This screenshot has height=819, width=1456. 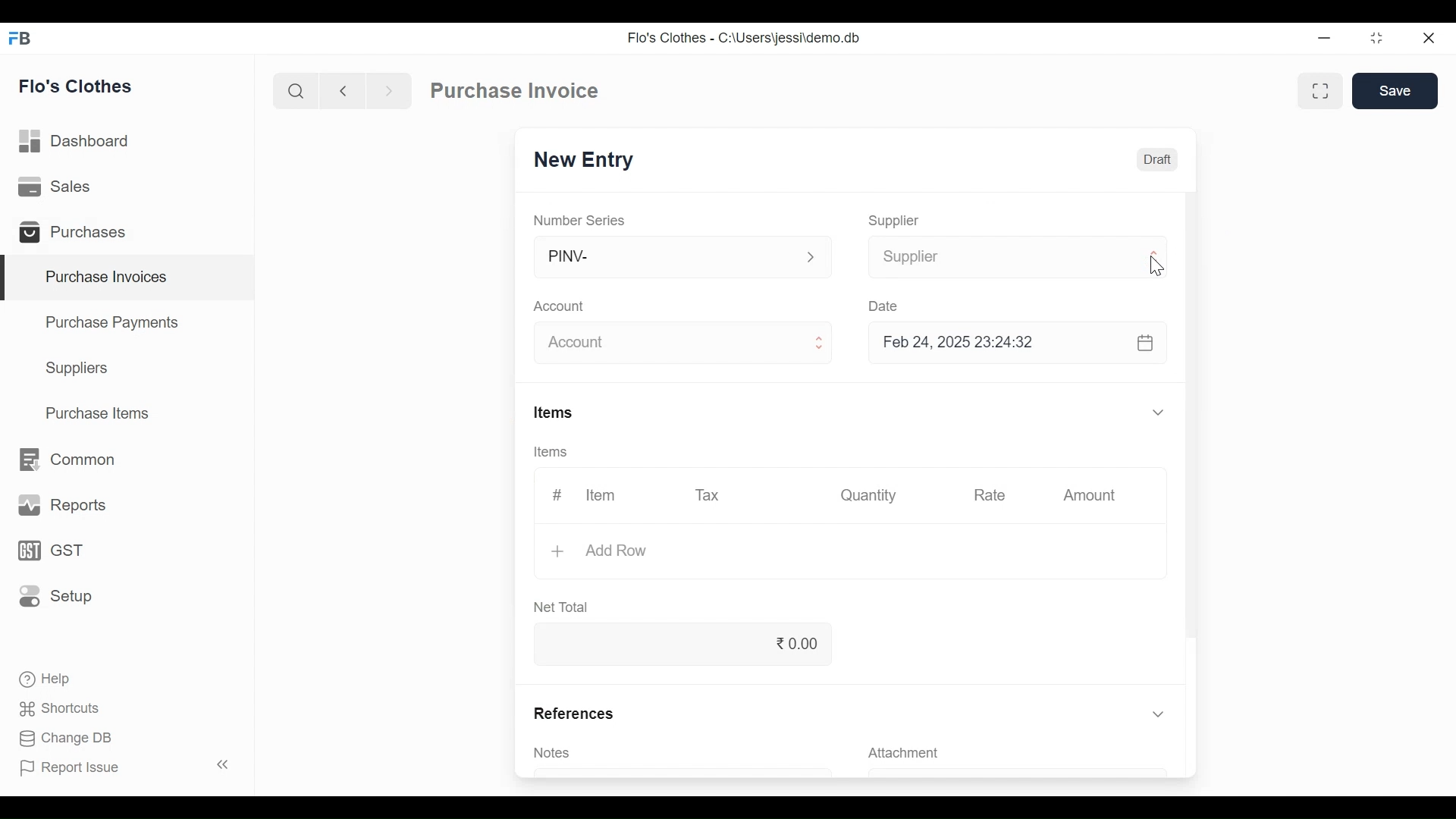 I want to click on Purchases, so click(x=77, y=233).